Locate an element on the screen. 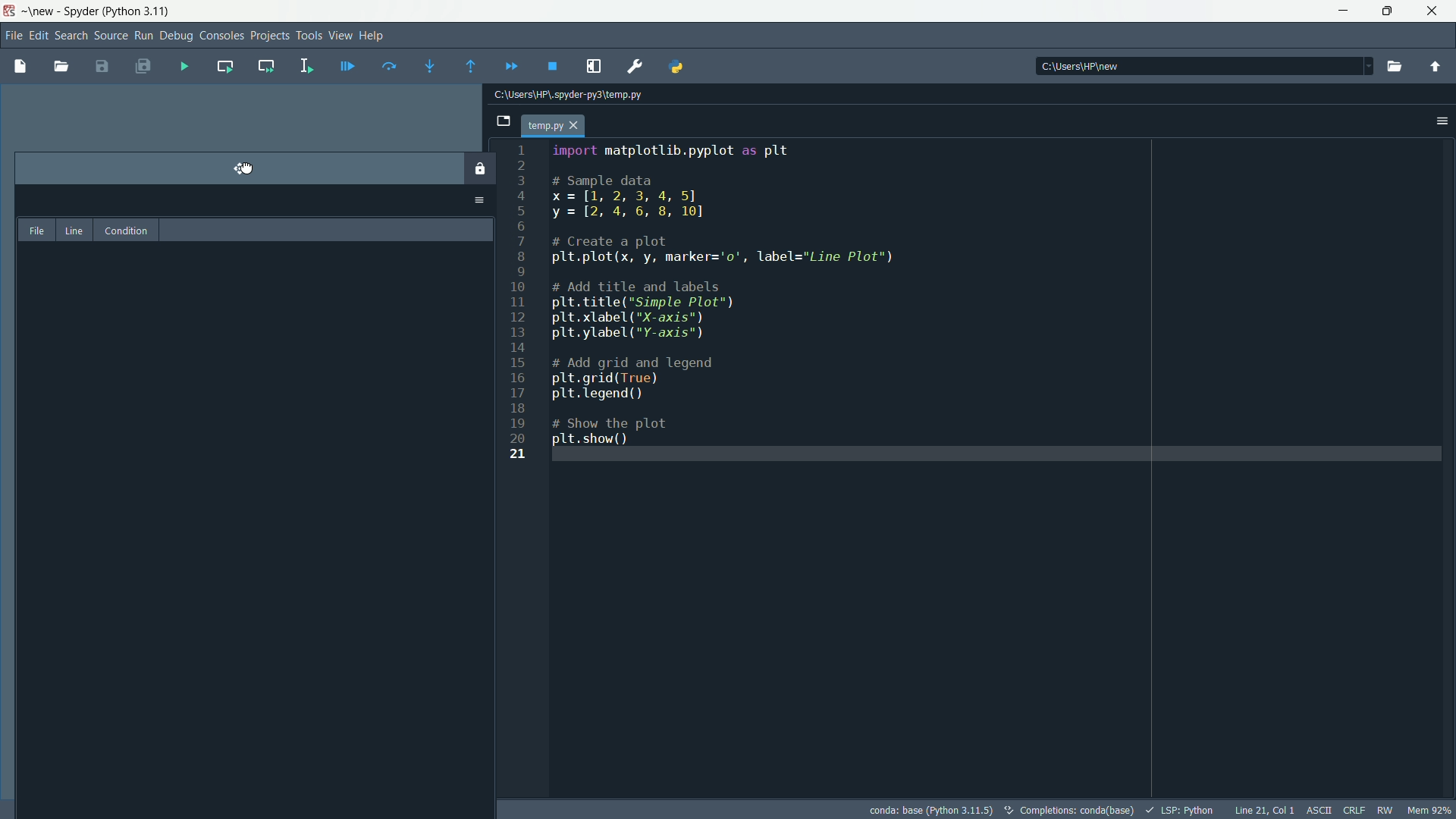  consoles menu is located at coordinates (221, 35).